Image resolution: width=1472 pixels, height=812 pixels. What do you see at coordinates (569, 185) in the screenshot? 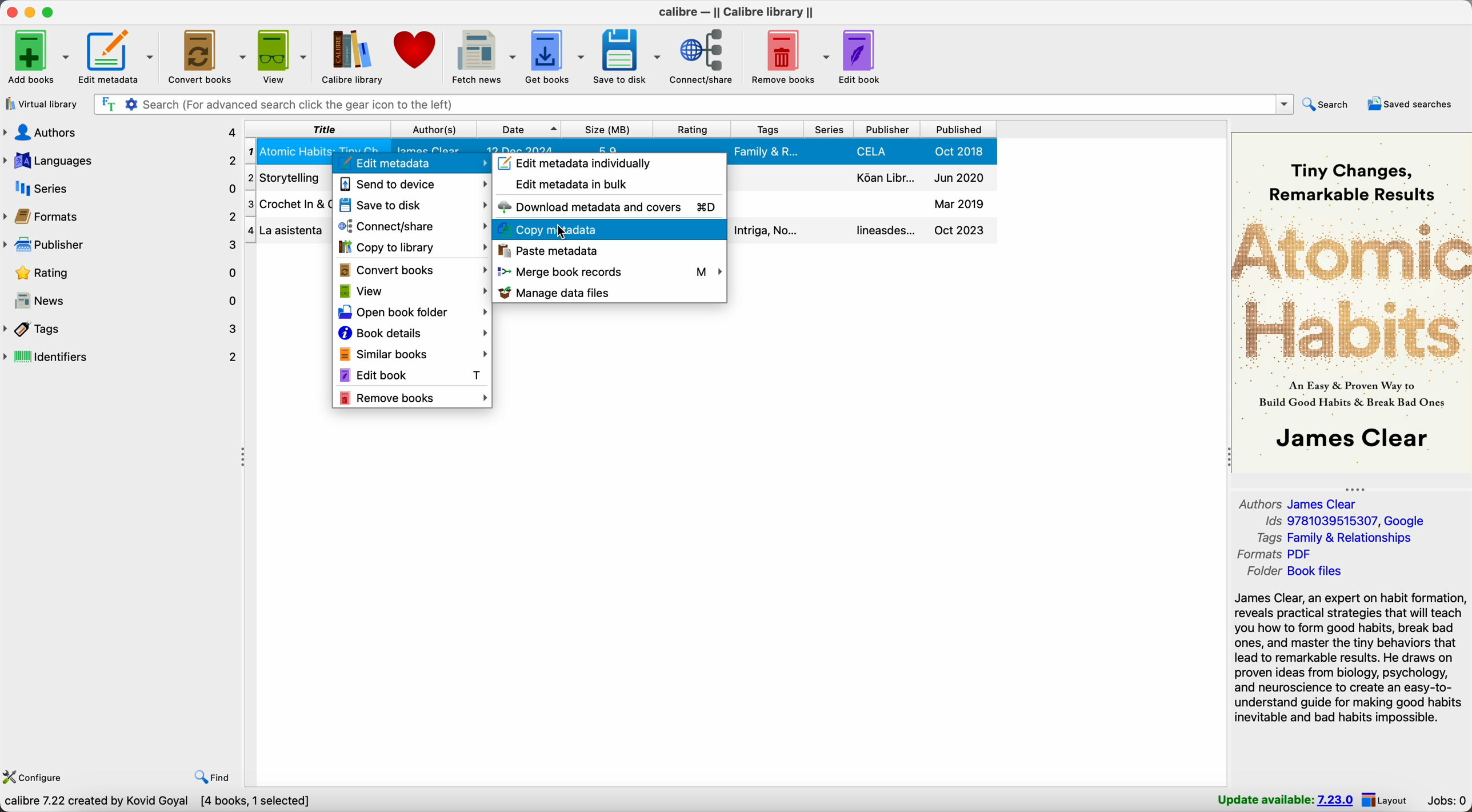
I see `edit metadata in bulk` at bounding box center [569, 185].